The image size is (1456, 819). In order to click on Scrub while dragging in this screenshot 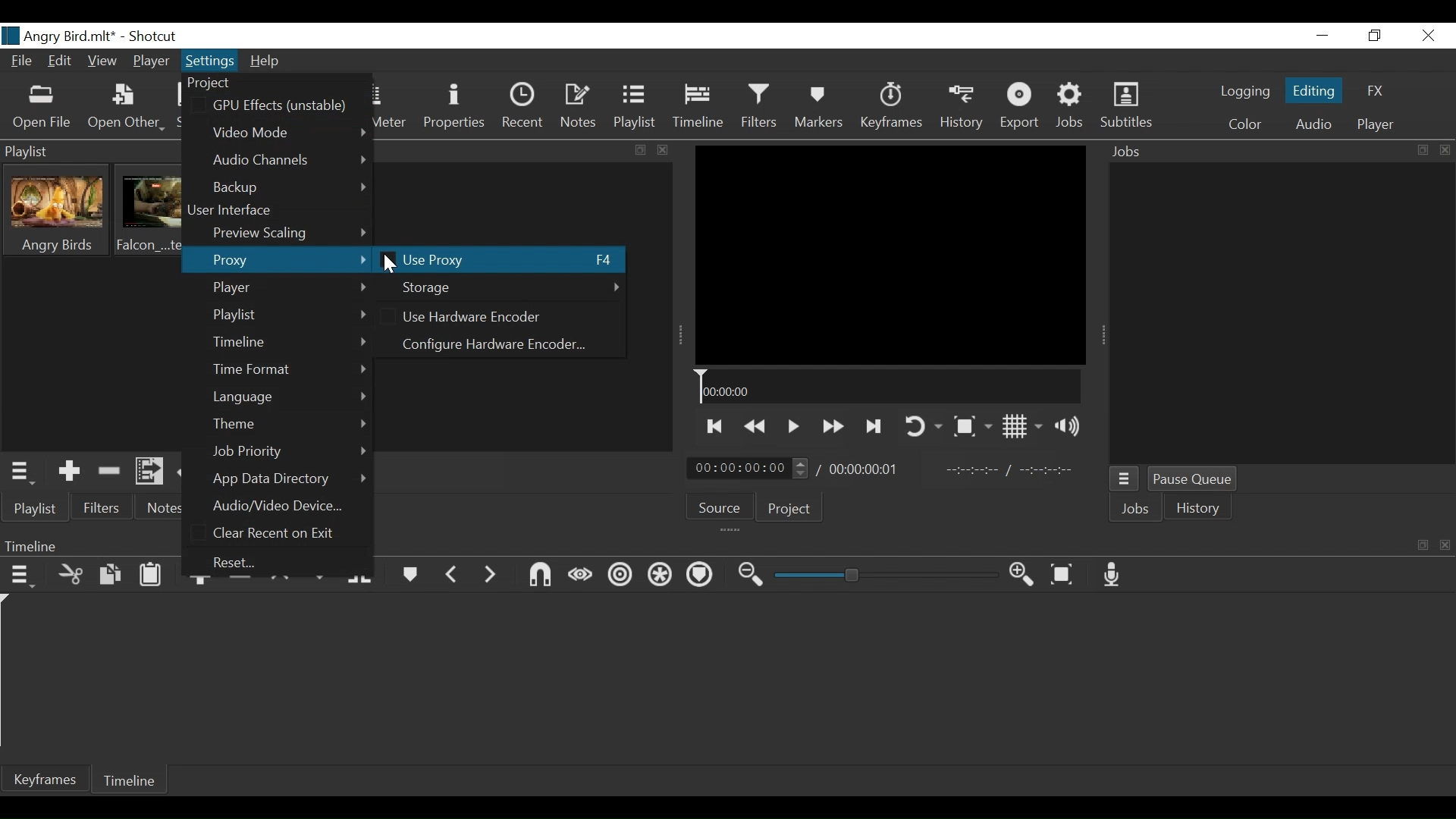, I will do `click(579, 573)`.